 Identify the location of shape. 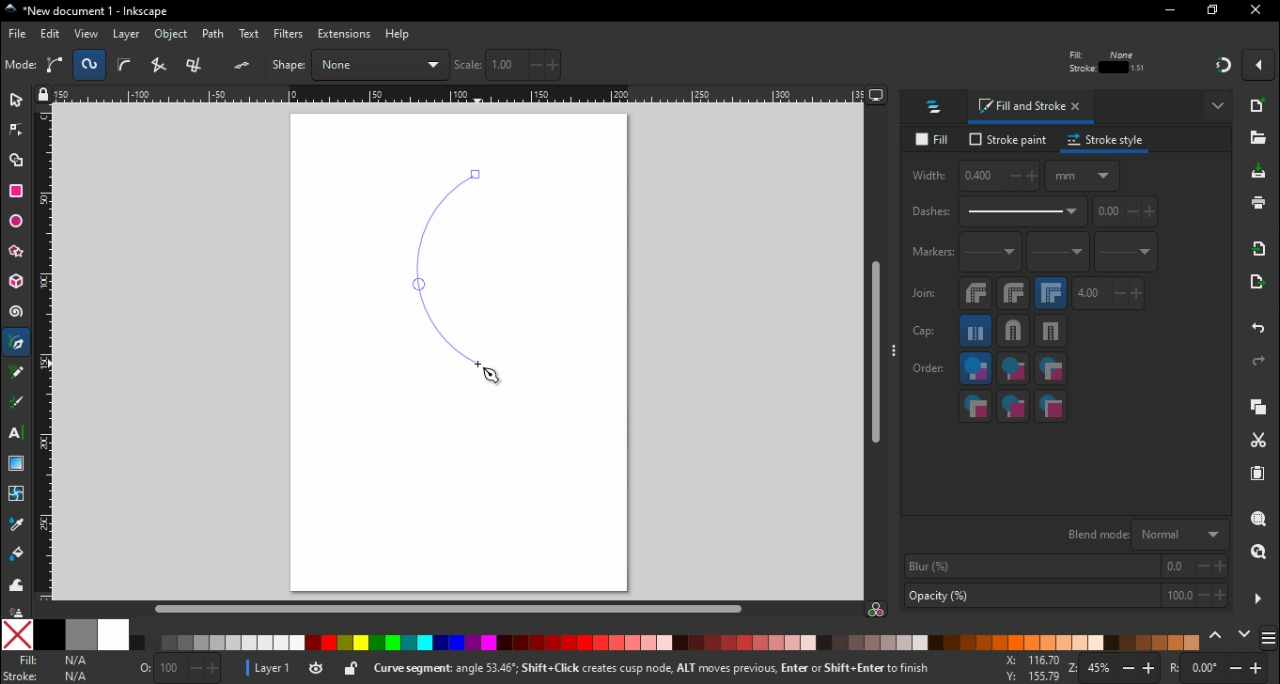
(360, 64).